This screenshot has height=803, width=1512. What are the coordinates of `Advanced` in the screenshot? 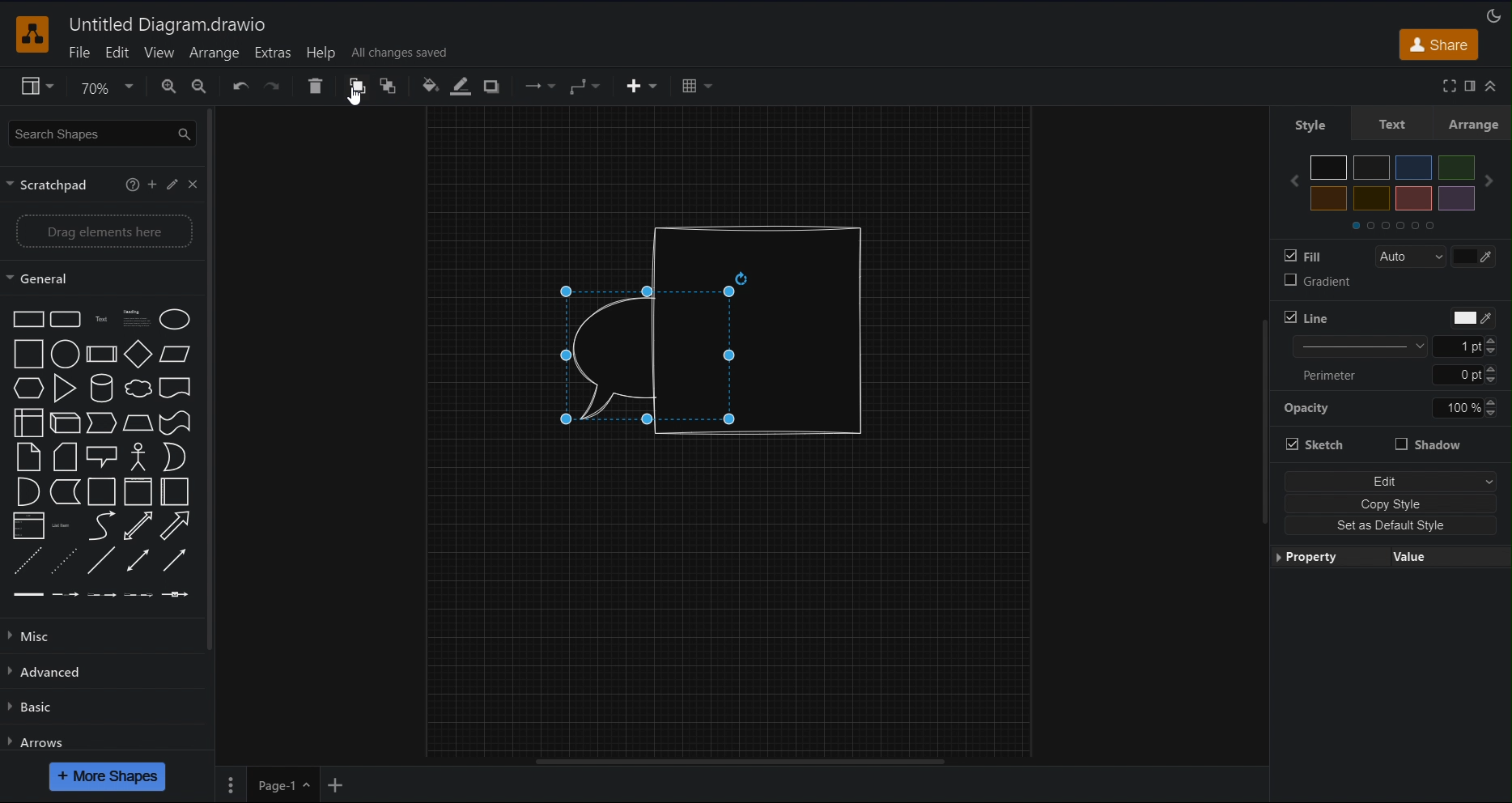 It's located at (103, 672).